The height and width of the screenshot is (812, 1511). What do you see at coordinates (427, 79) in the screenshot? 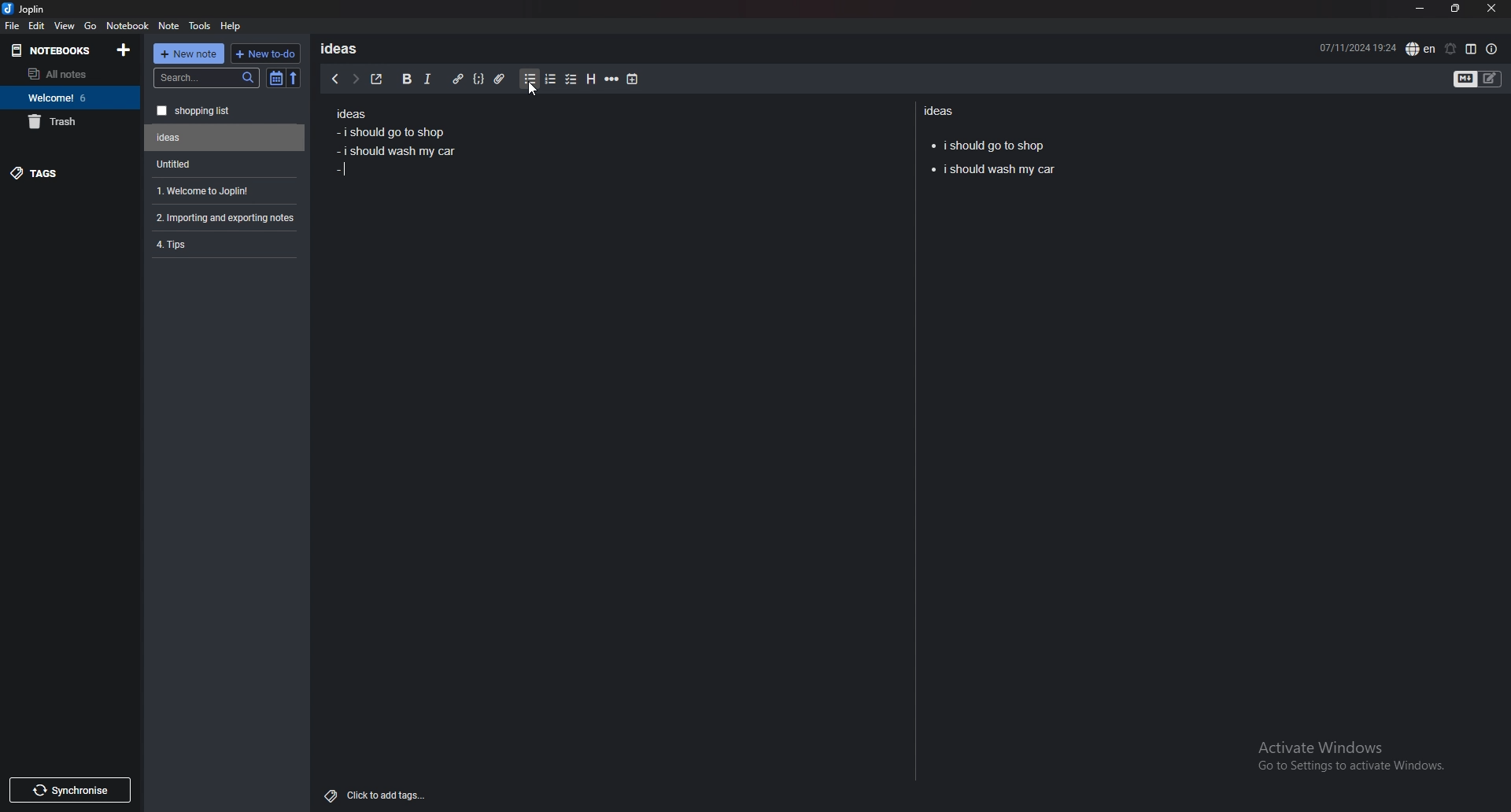
I see `italic` at bounding box center [427, 79].